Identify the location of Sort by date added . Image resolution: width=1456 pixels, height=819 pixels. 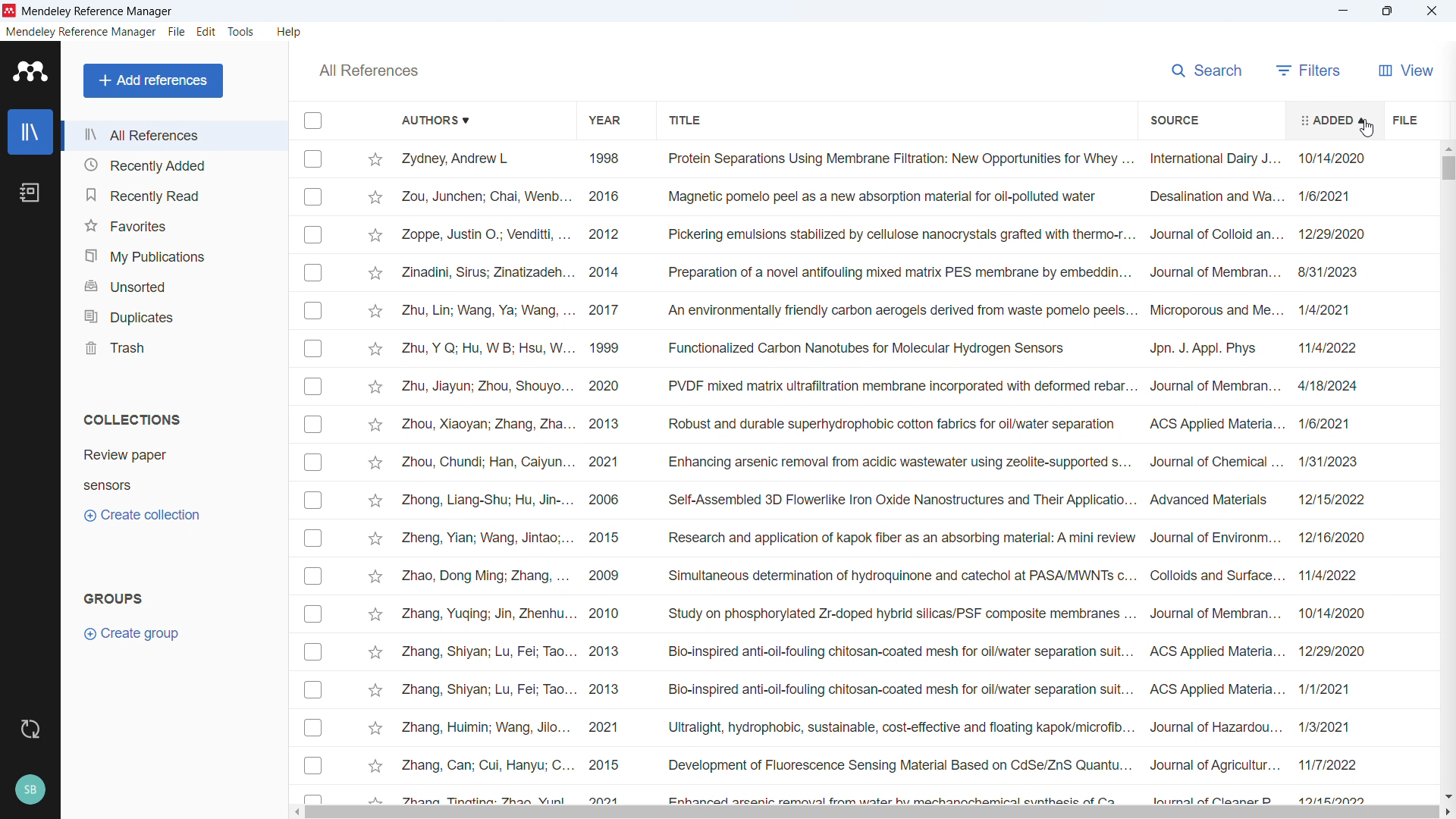
(1332, 121).